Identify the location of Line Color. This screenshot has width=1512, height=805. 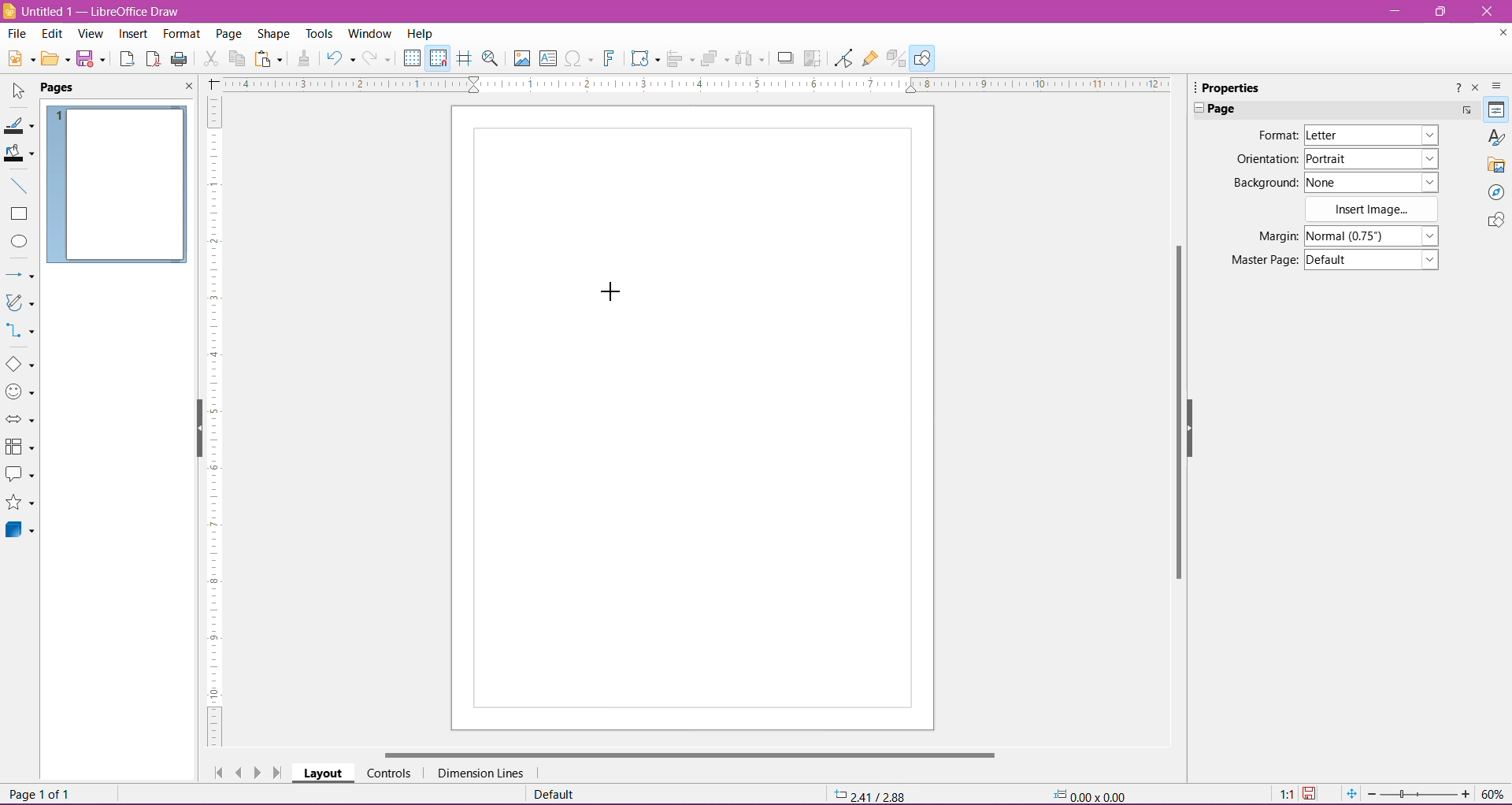
(19, 124).